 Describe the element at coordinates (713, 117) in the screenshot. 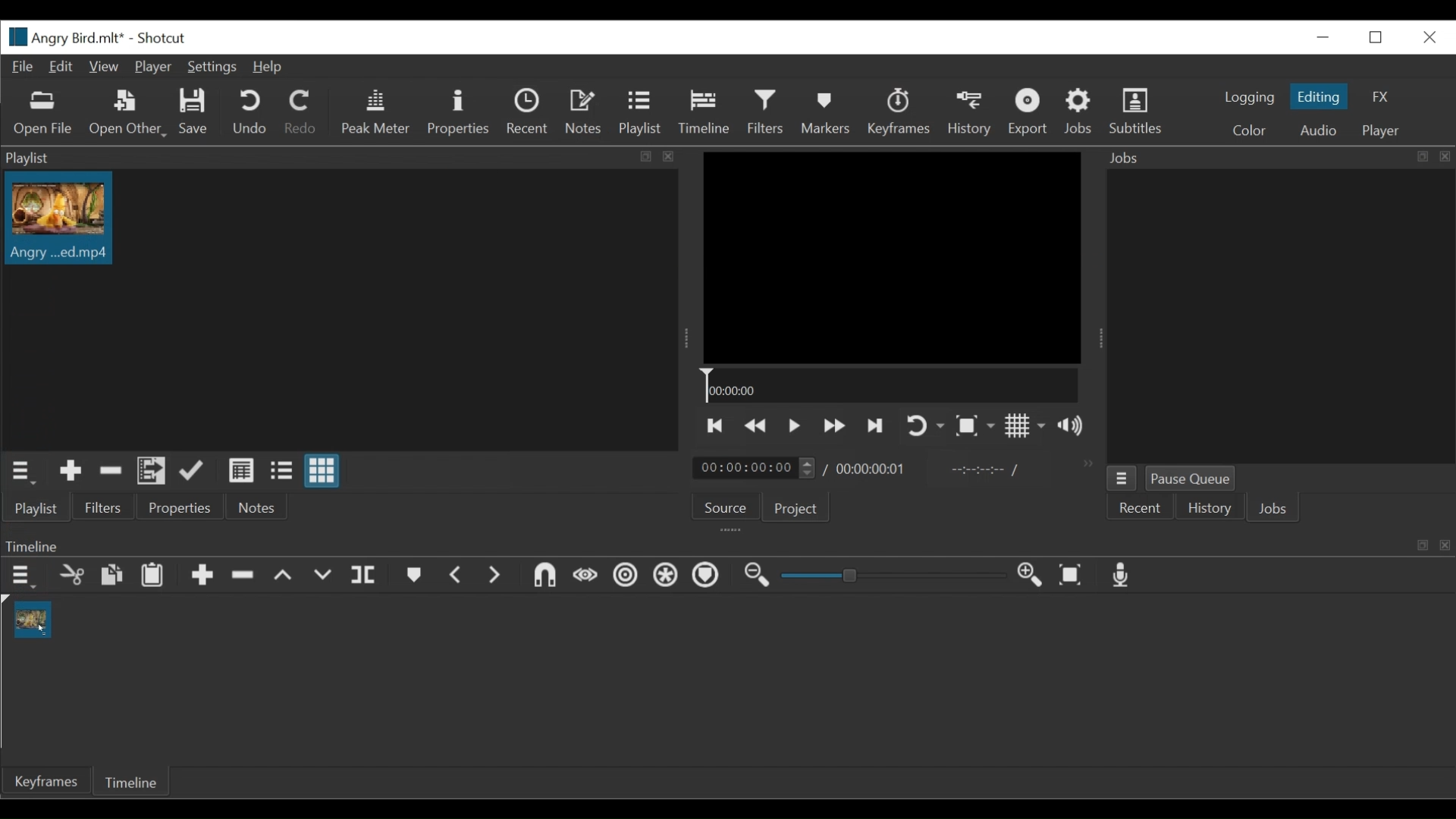

I see `Cursor` at that location.